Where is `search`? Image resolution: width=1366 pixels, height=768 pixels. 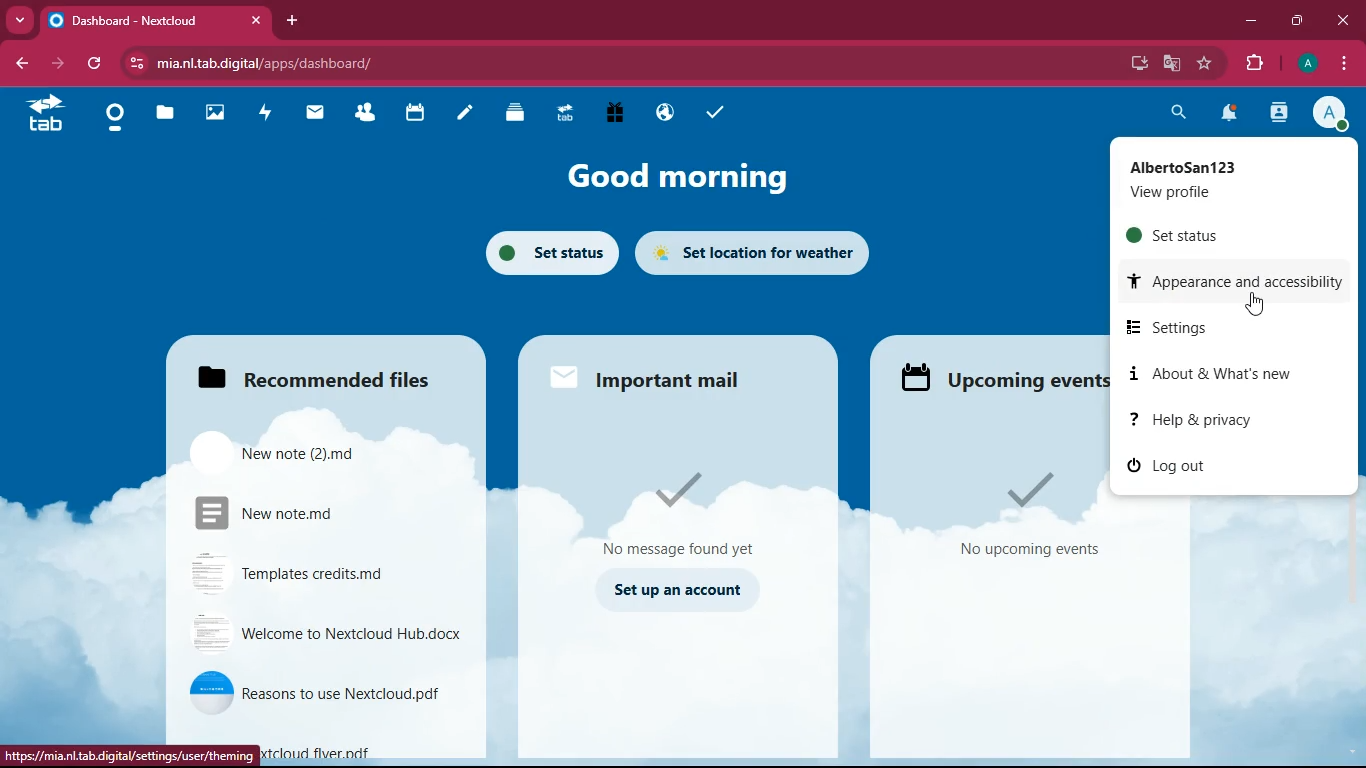
search is located at coordinates (1177, 112).